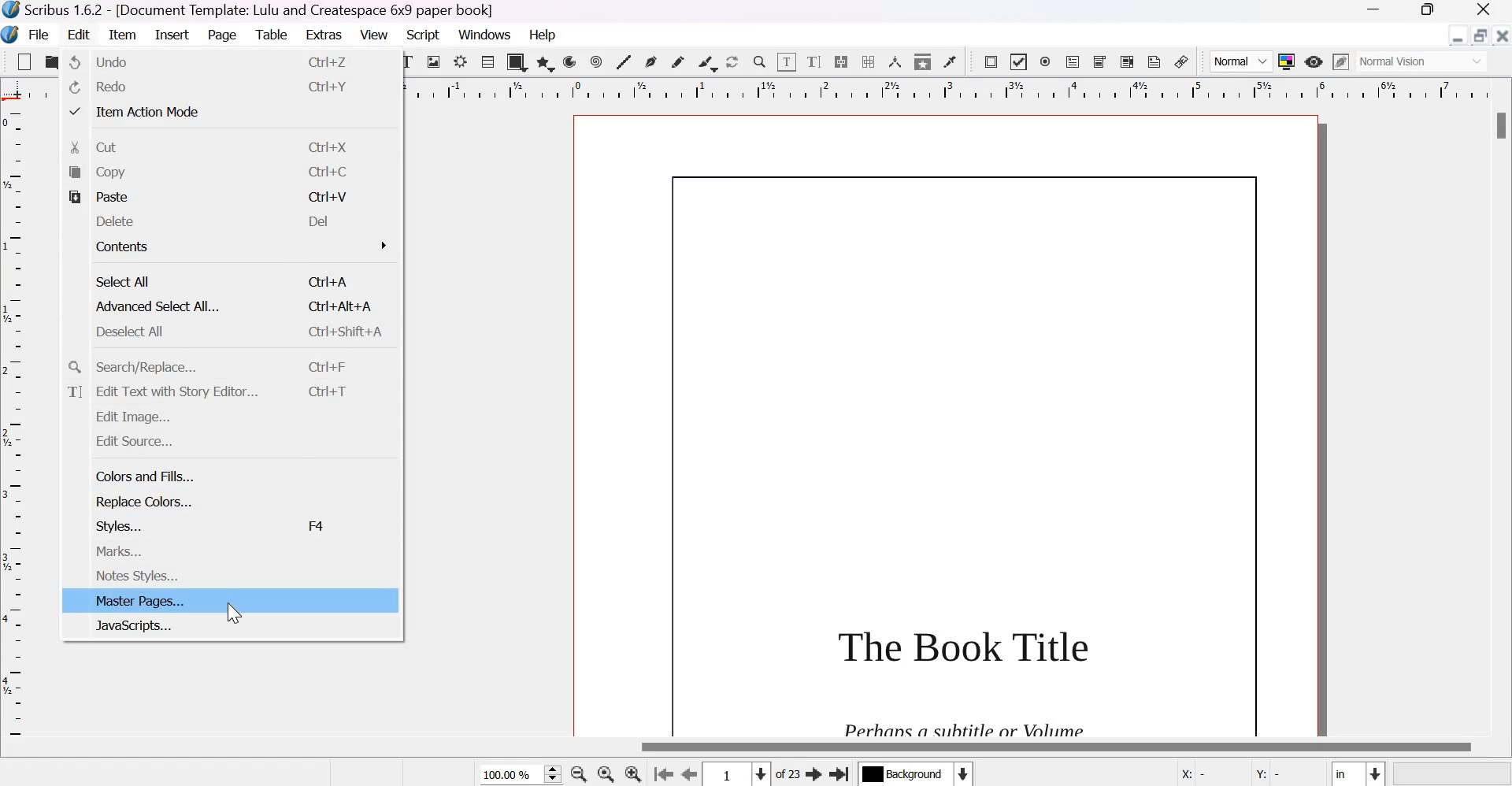 This screenshot has height=786, width=1512. Describe the element at coordinates (1503, 124) in the screenshot. I see `Scrollbar` at that location.